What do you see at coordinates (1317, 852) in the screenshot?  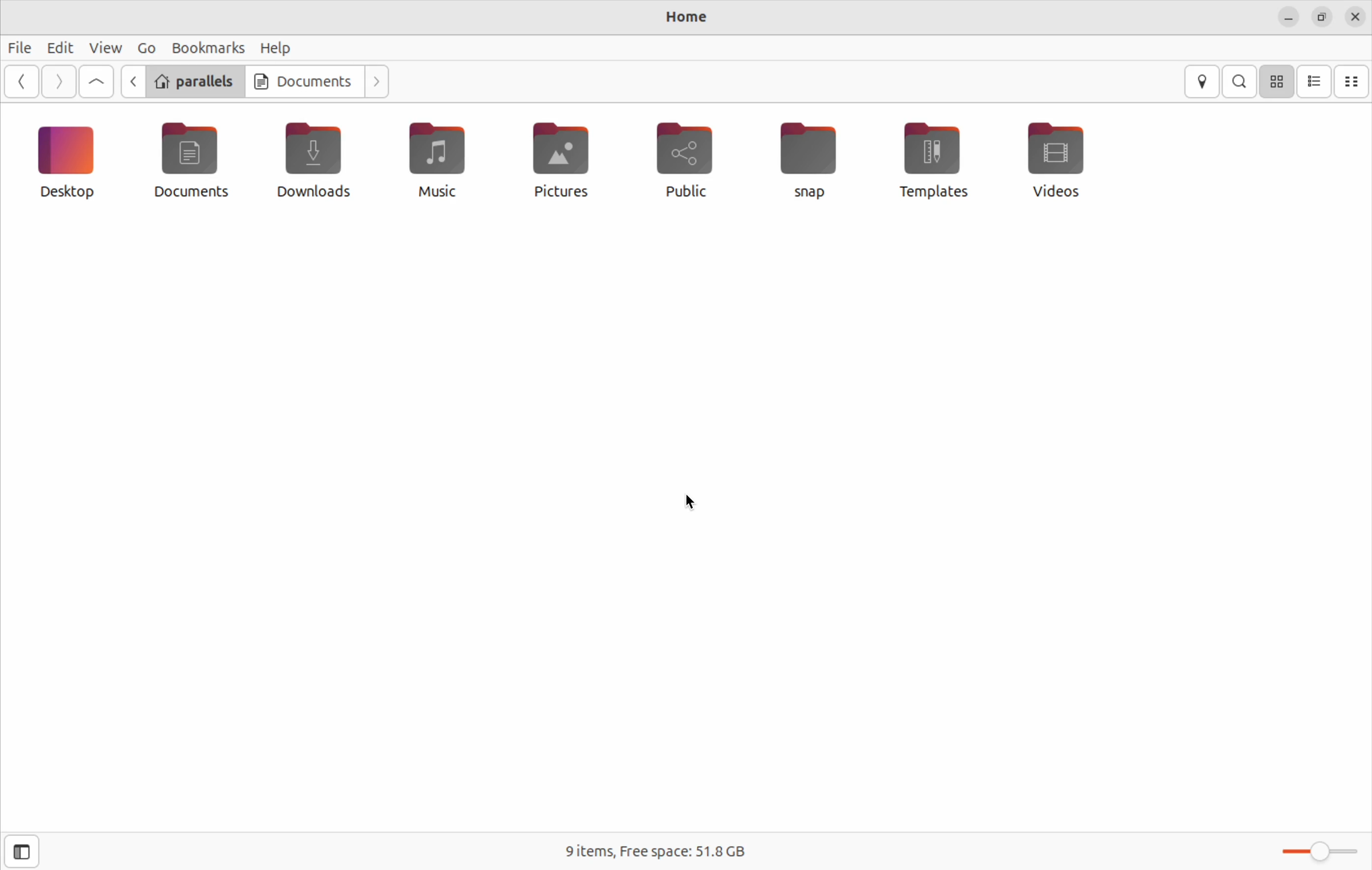 I see `toggle` at bounding box center [1317, 852].